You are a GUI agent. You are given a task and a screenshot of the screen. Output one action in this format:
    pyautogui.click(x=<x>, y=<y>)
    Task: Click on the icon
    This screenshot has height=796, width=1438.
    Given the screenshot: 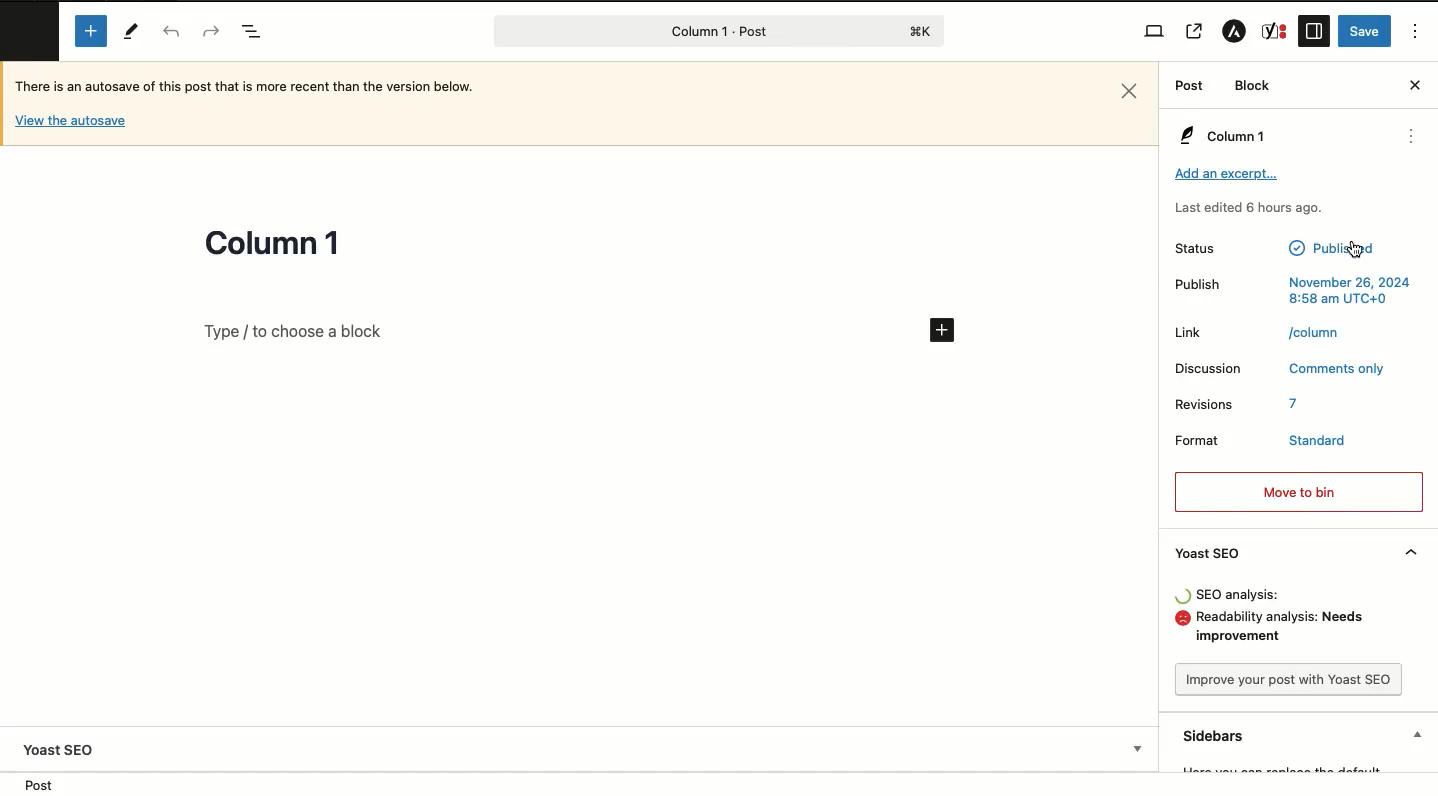 What is the action you would take?
    pyautogui.click(x=1184, y=596)
    